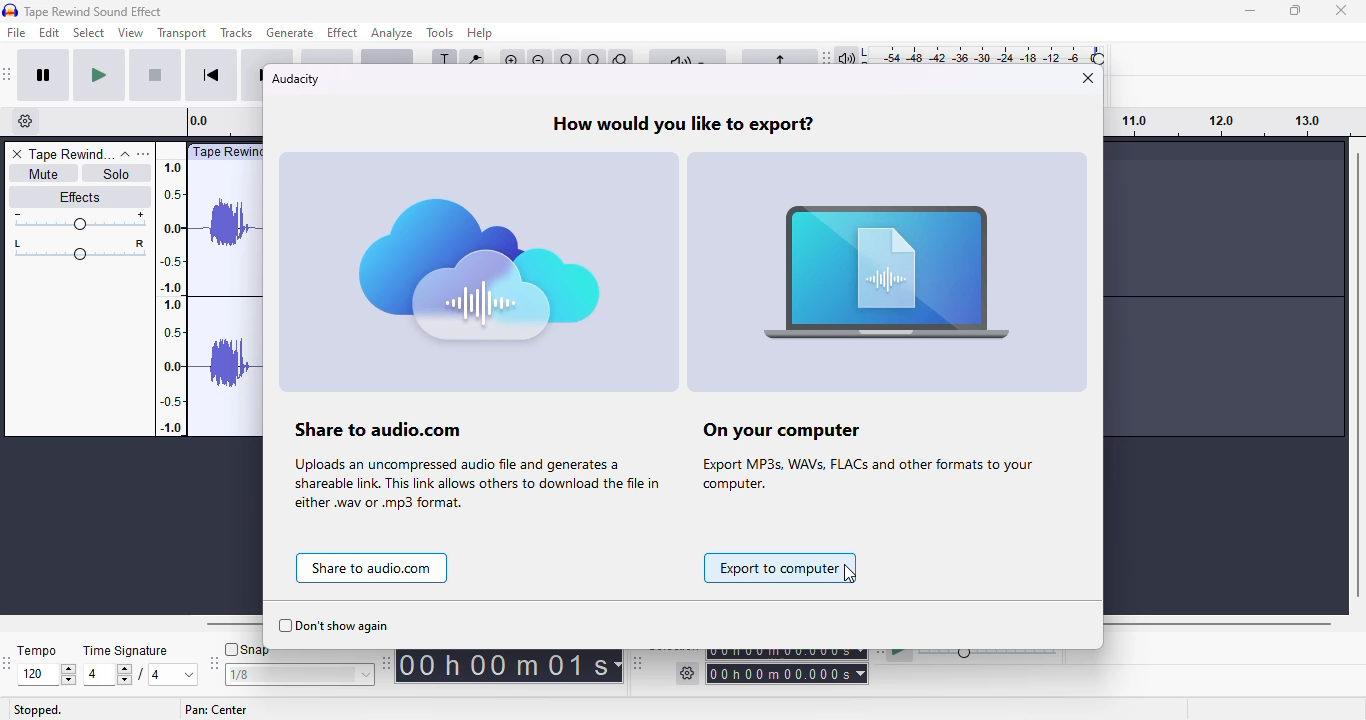 The height and width of the screenshot is (720, 1366). Describe the element at coordinates (72, 154) in the screenshot. I see `track` at that location.